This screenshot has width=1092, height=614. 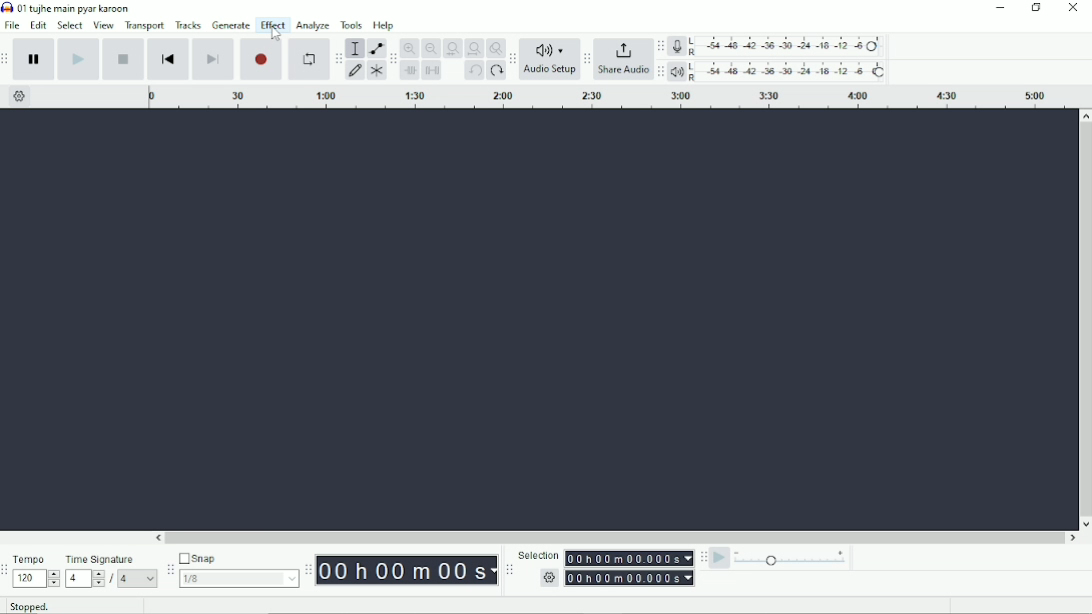 I want to click on Play, so click(x=78, y=59).